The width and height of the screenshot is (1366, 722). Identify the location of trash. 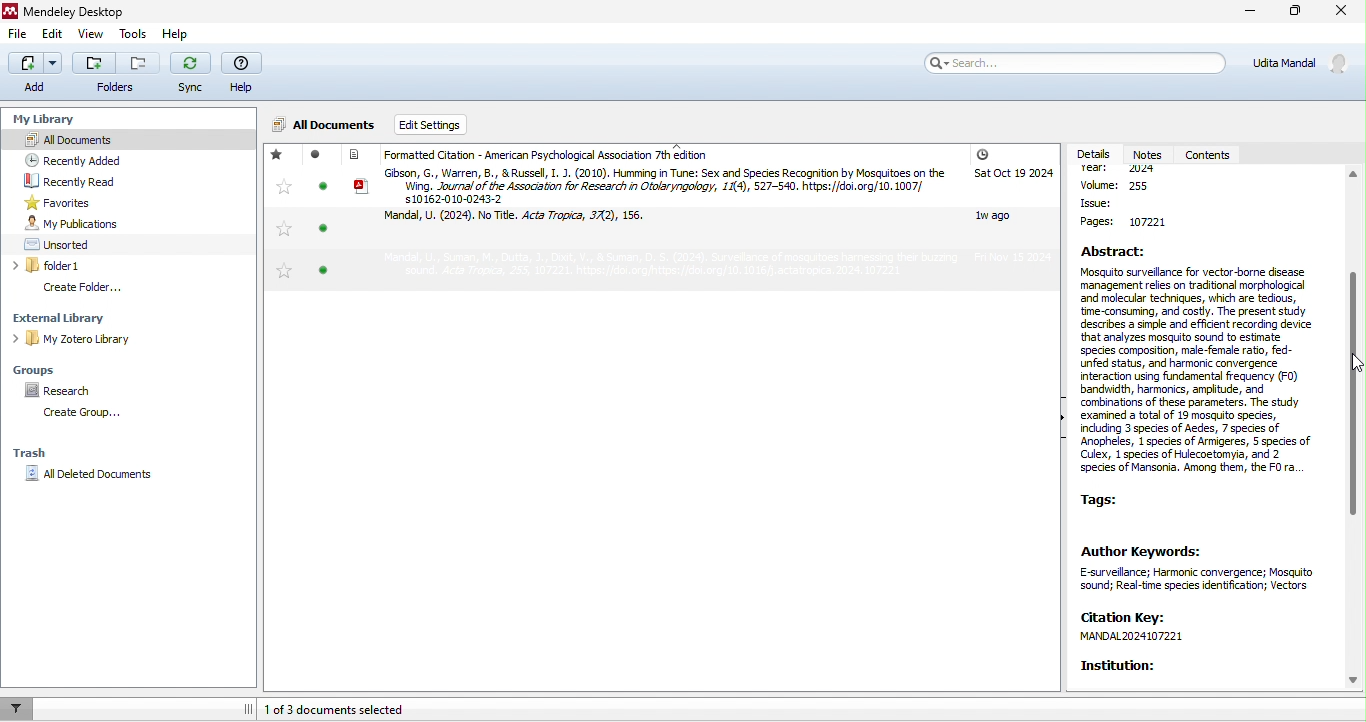
(43, 450).